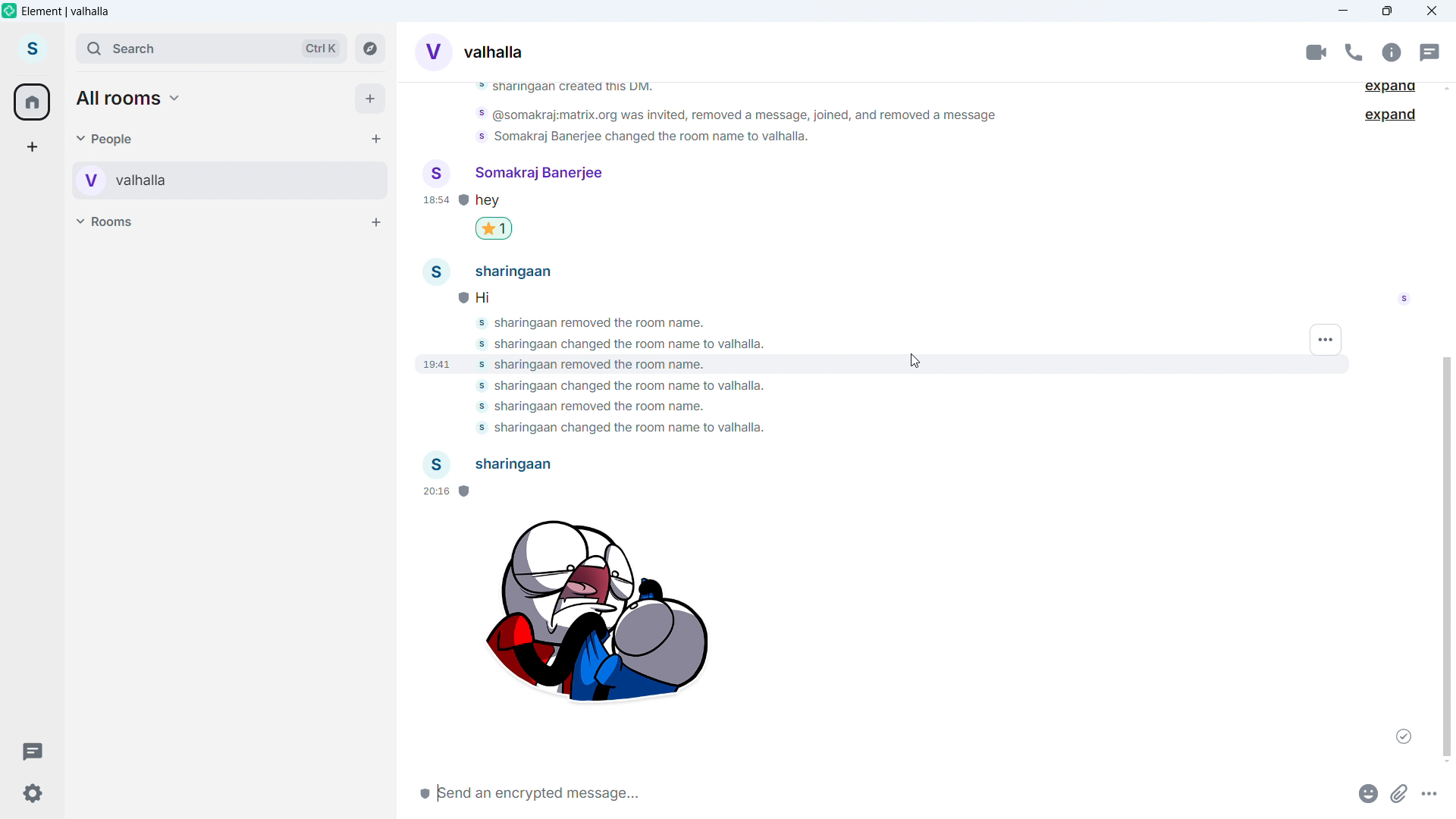 The image size is (1456, 819). What do you see at coordinates (438, 360) in the screenshot?
I see `19:41` at bounding box center [438, 360].